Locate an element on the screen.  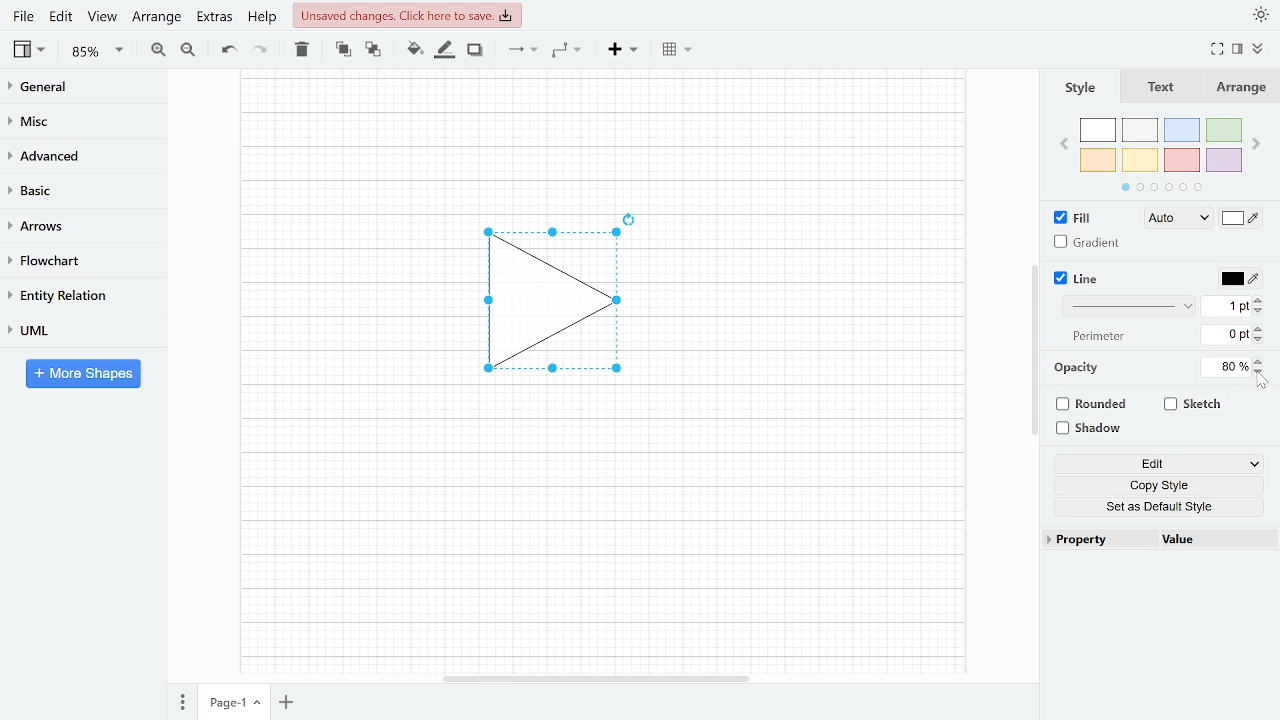
MIsc is located at coordinates (75, 120).